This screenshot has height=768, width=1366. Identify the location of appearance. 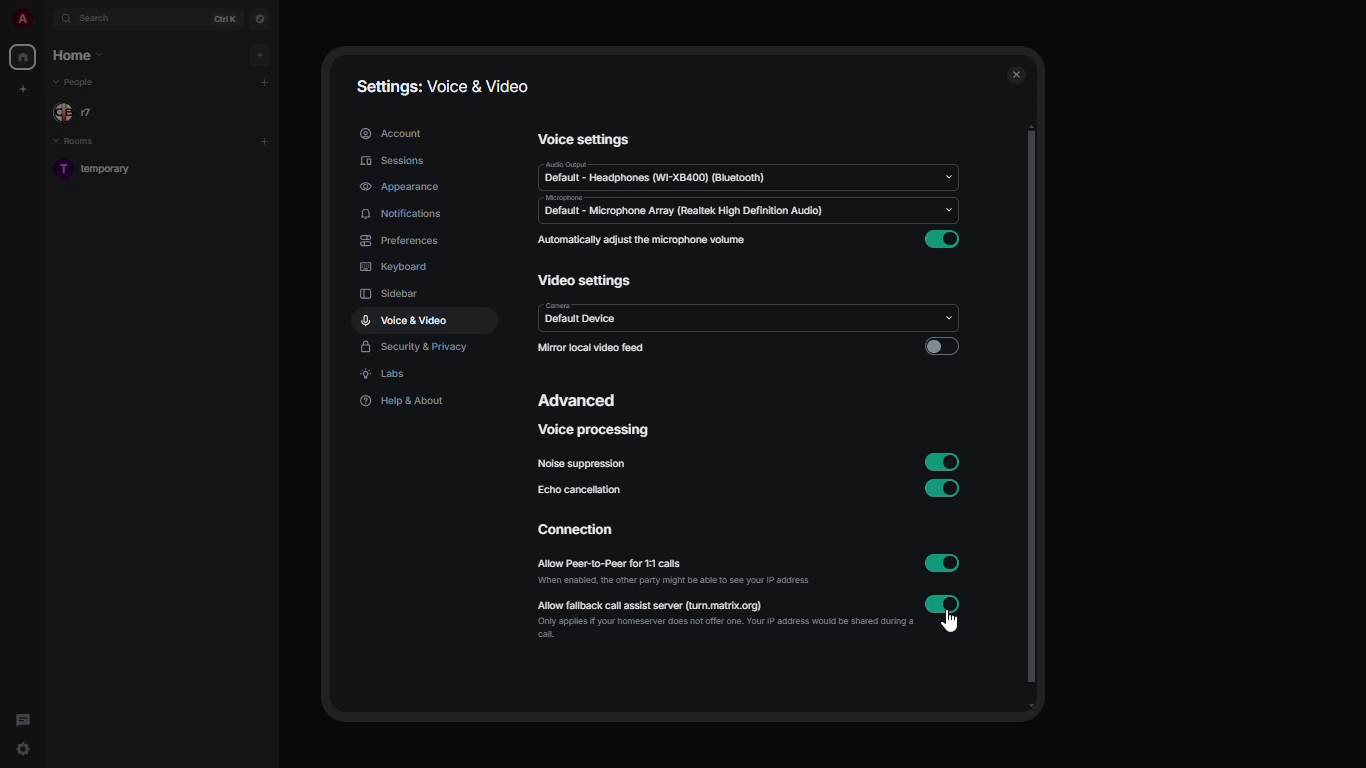
(398, 188).